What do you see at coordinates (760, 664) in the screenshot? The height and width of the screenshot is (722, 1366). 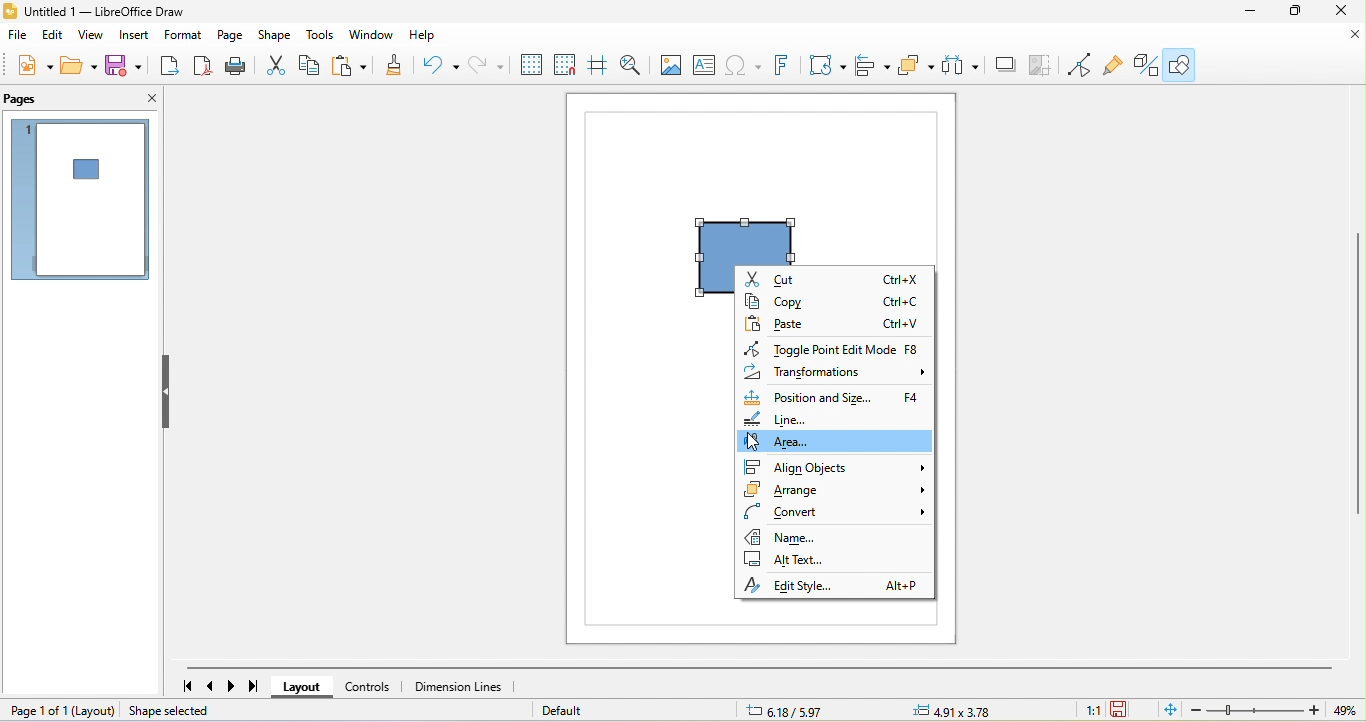 I see `horizontal scroll bar` at bounding box center [760, 664].